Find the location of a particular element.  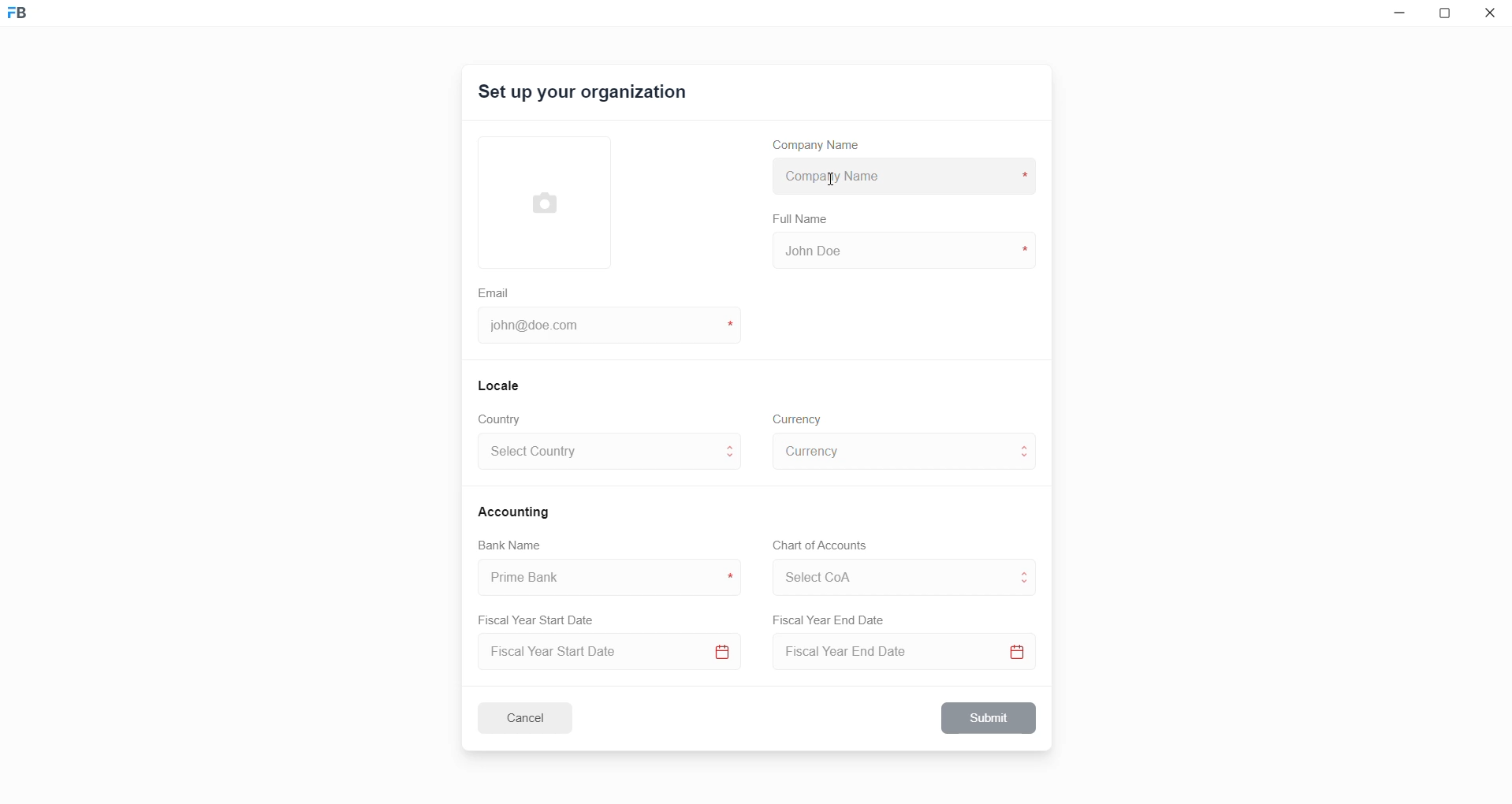

bank name input box is located at coordinates (603, 578).